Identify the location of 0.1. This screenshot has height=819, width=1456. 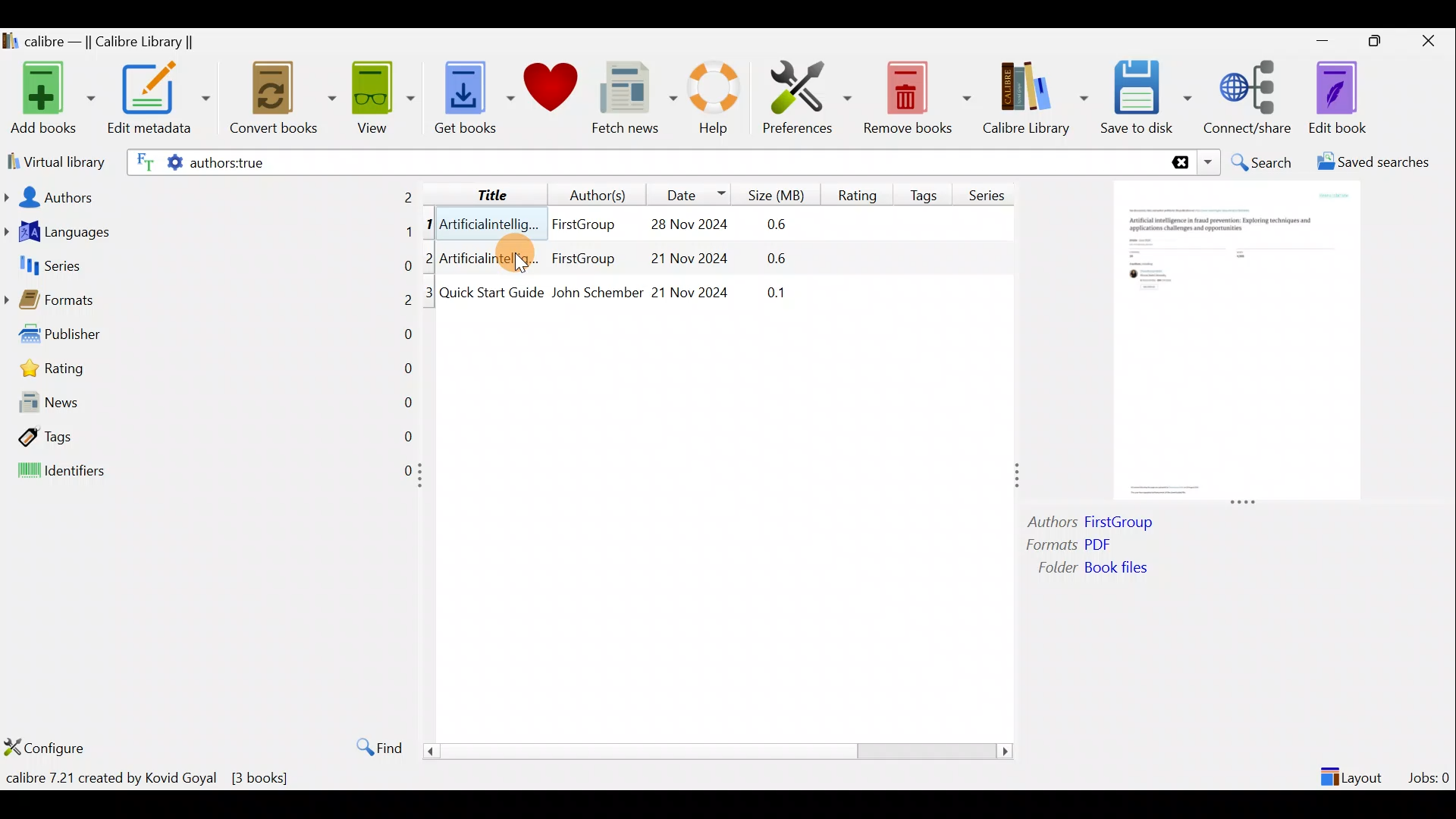
(768, 290).